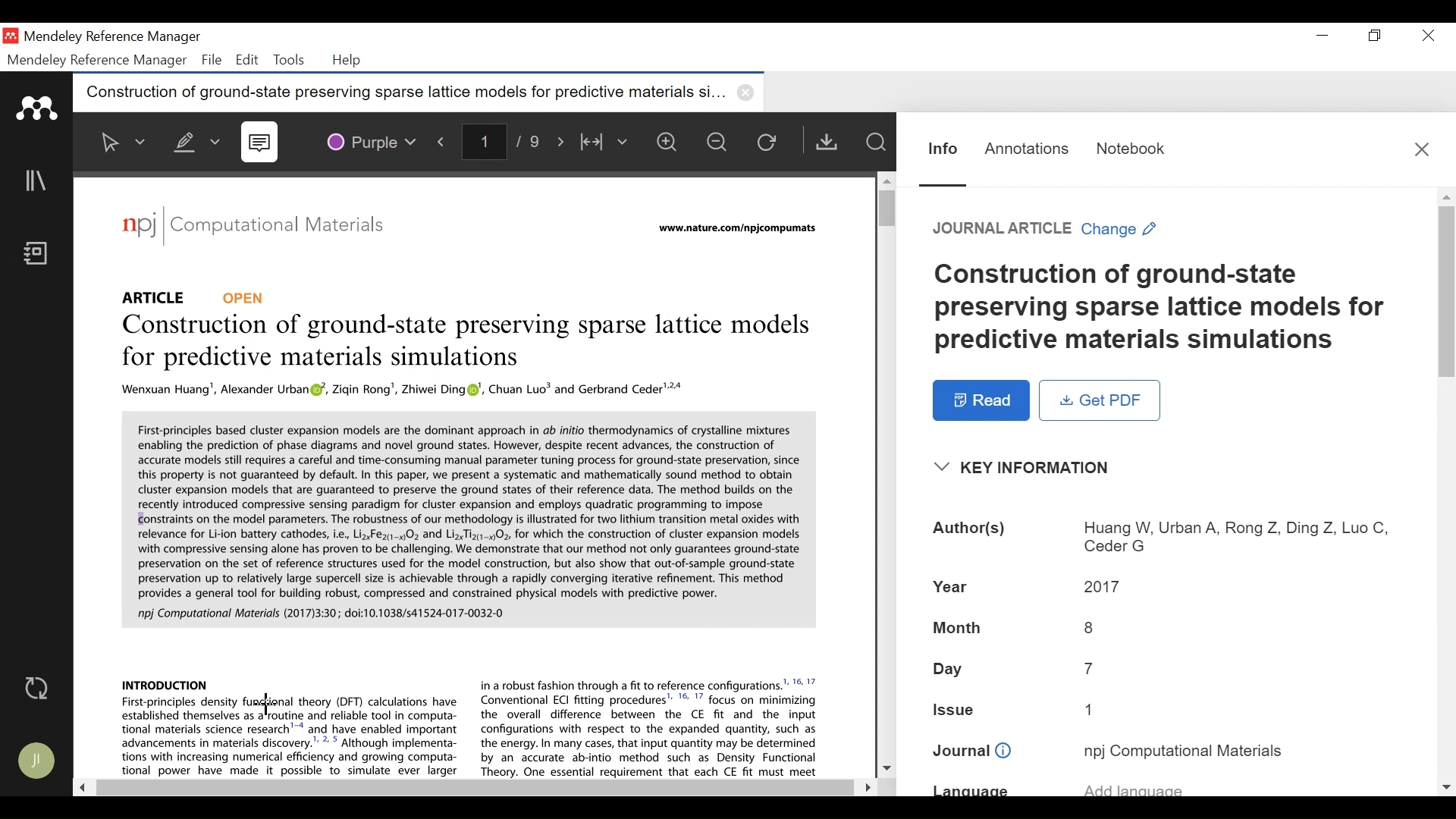 This screenshot has width=1456, height=819. Describe the element at coordinates (1447, 293) in the screenshot. I see `Vertical Scroll bar` at that location.